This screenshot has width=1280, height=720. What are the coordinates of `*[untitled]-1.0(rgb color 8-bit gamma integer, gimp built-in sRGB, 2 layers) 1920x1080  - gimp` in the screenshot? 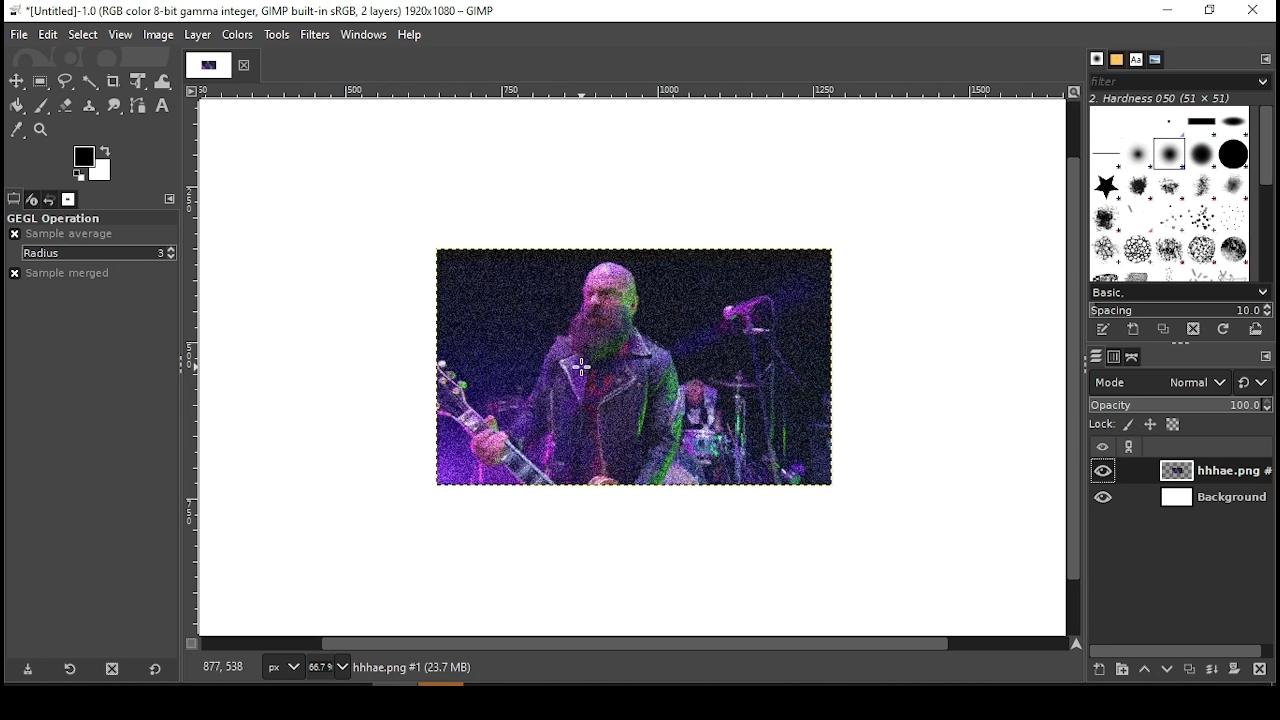 It's located at (253, 10).